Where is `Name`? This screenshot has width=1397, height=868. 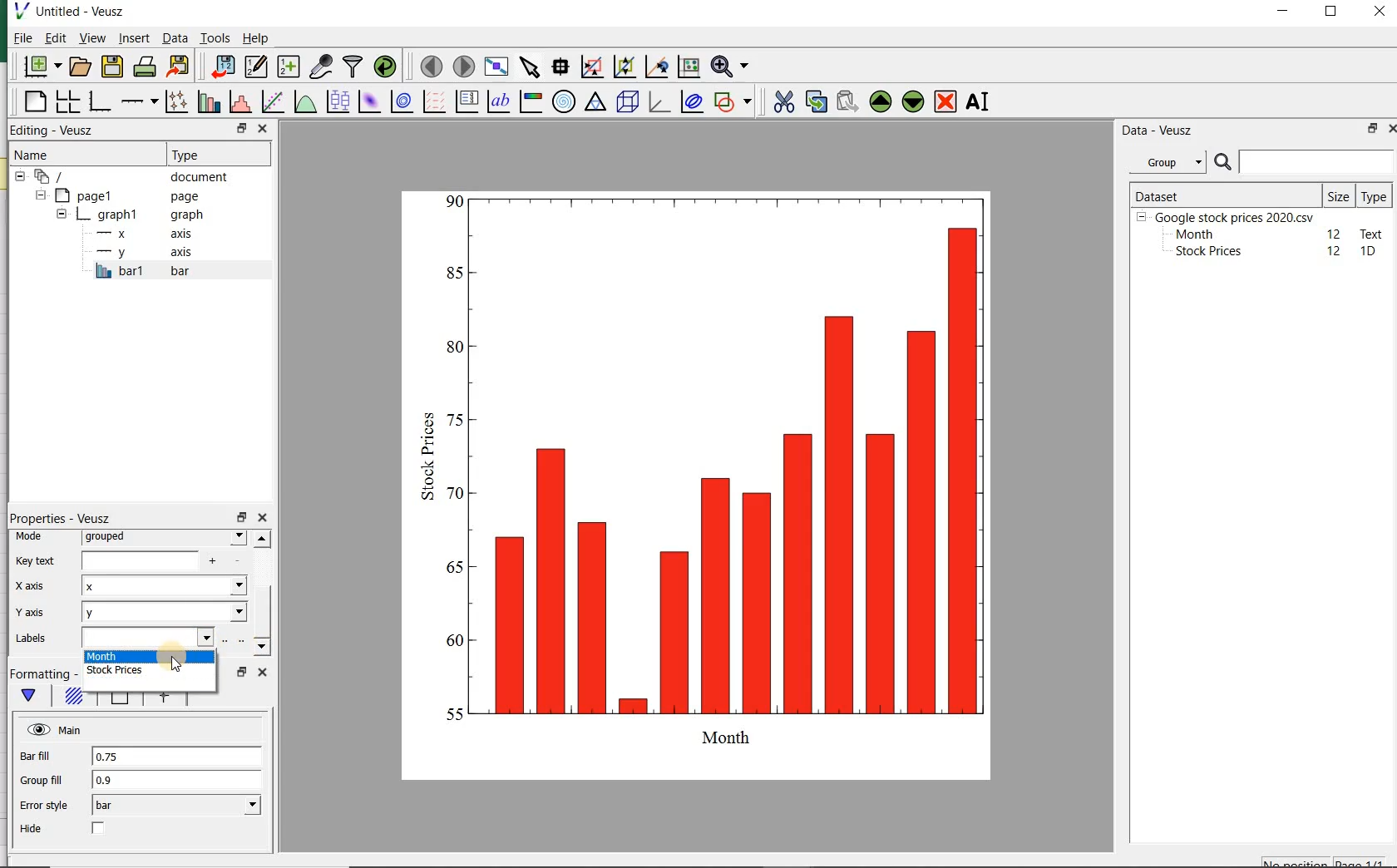 Name is located at coordinates (42, 155).